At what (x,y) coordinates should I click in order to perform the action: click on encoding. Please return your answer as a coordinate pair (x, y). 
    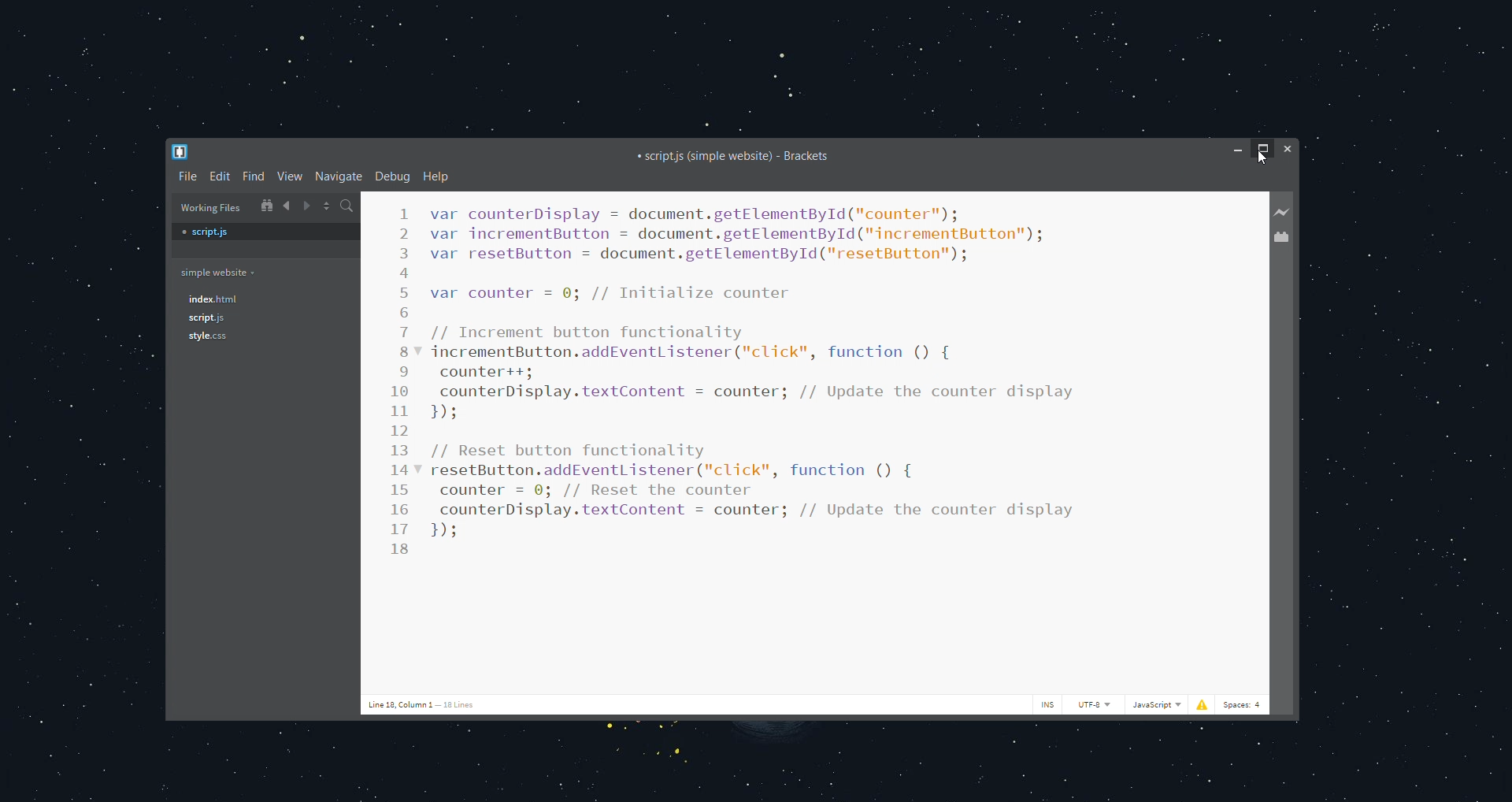
    Looking at the image, I should click on (1095, 704).